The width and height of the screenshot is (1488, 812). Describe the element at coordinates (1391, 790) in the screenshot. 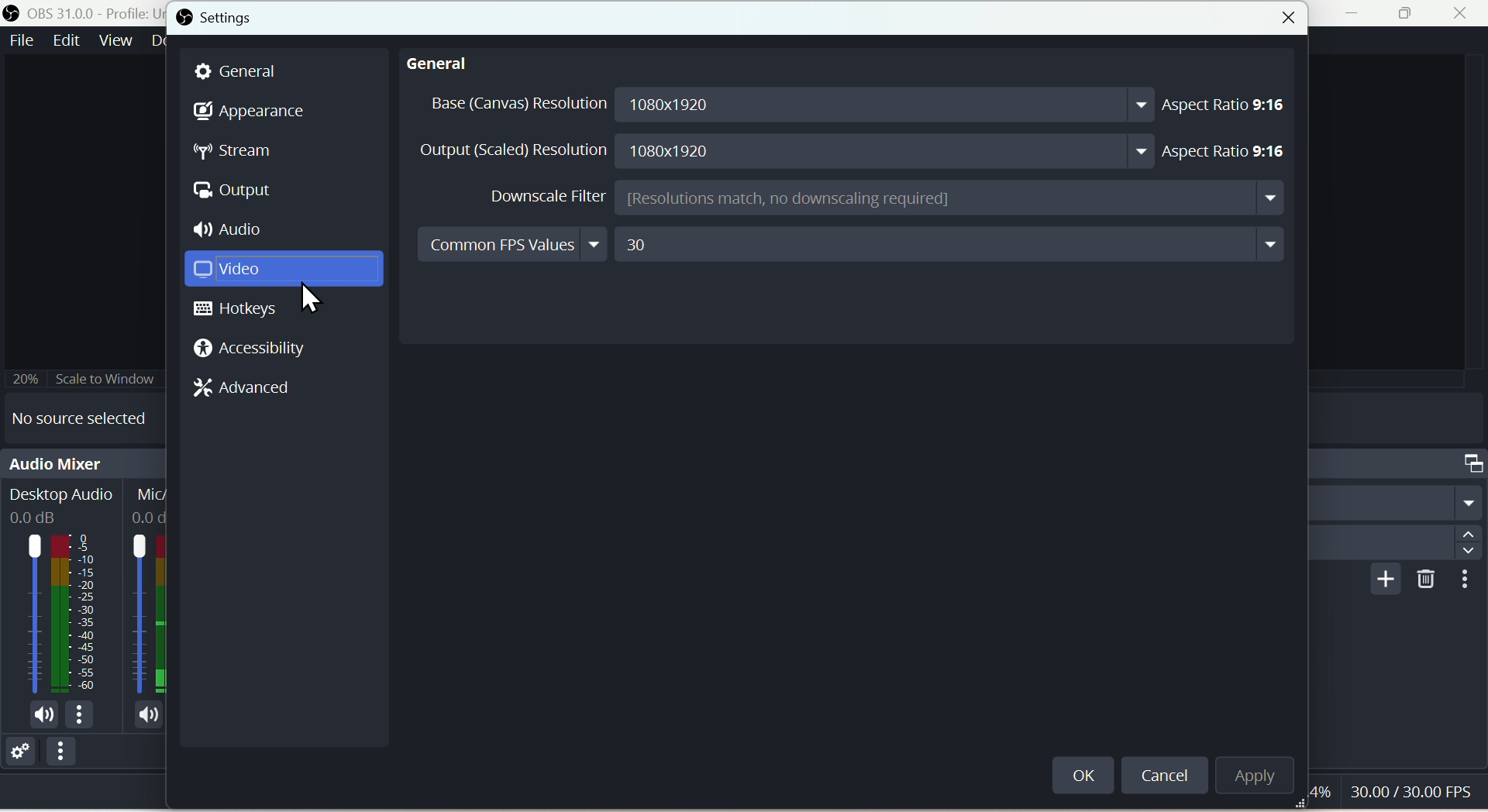

I see `Performance bar` at that location.